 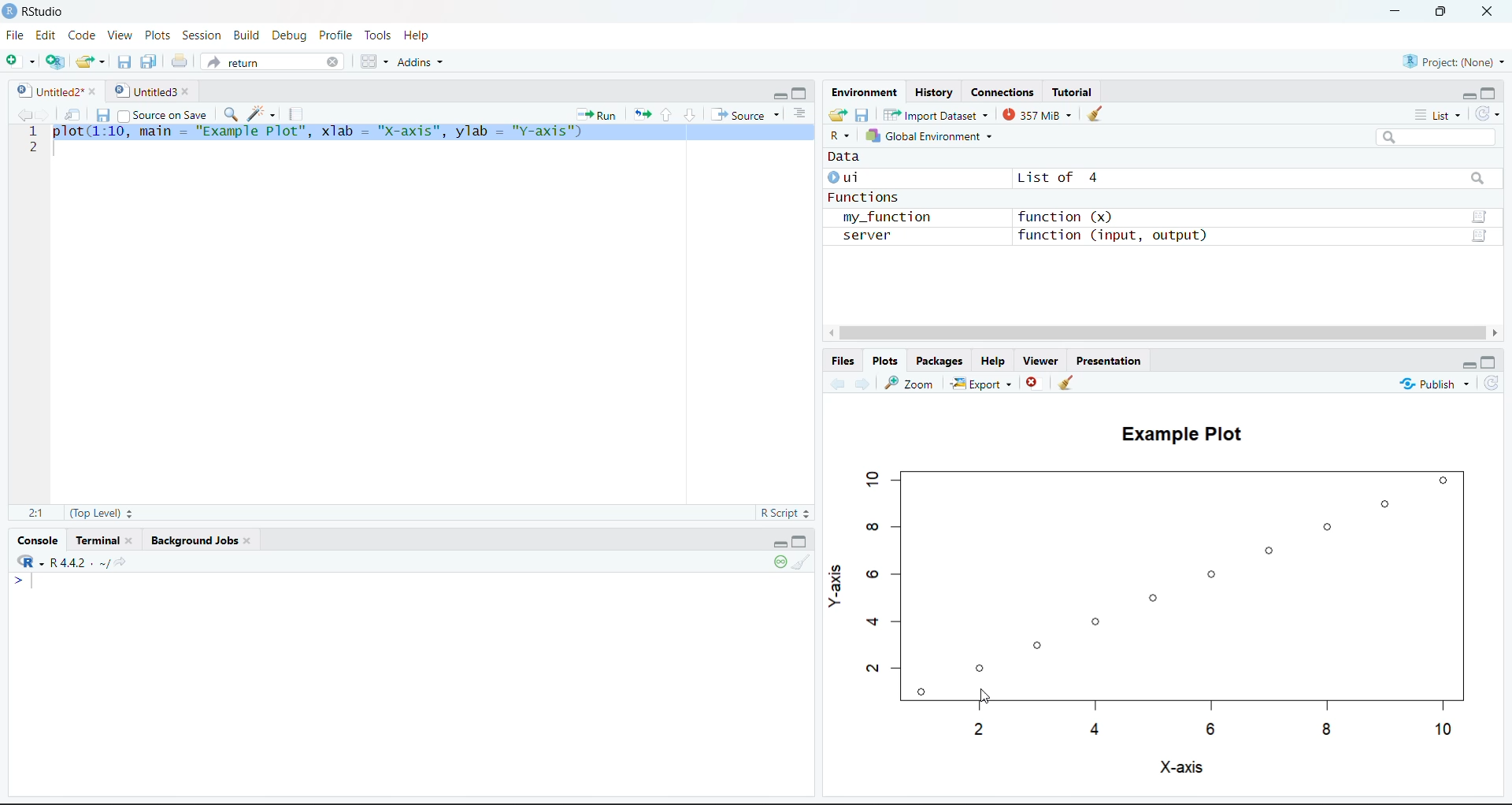 I want to click on R, so click(x=841, y=136).